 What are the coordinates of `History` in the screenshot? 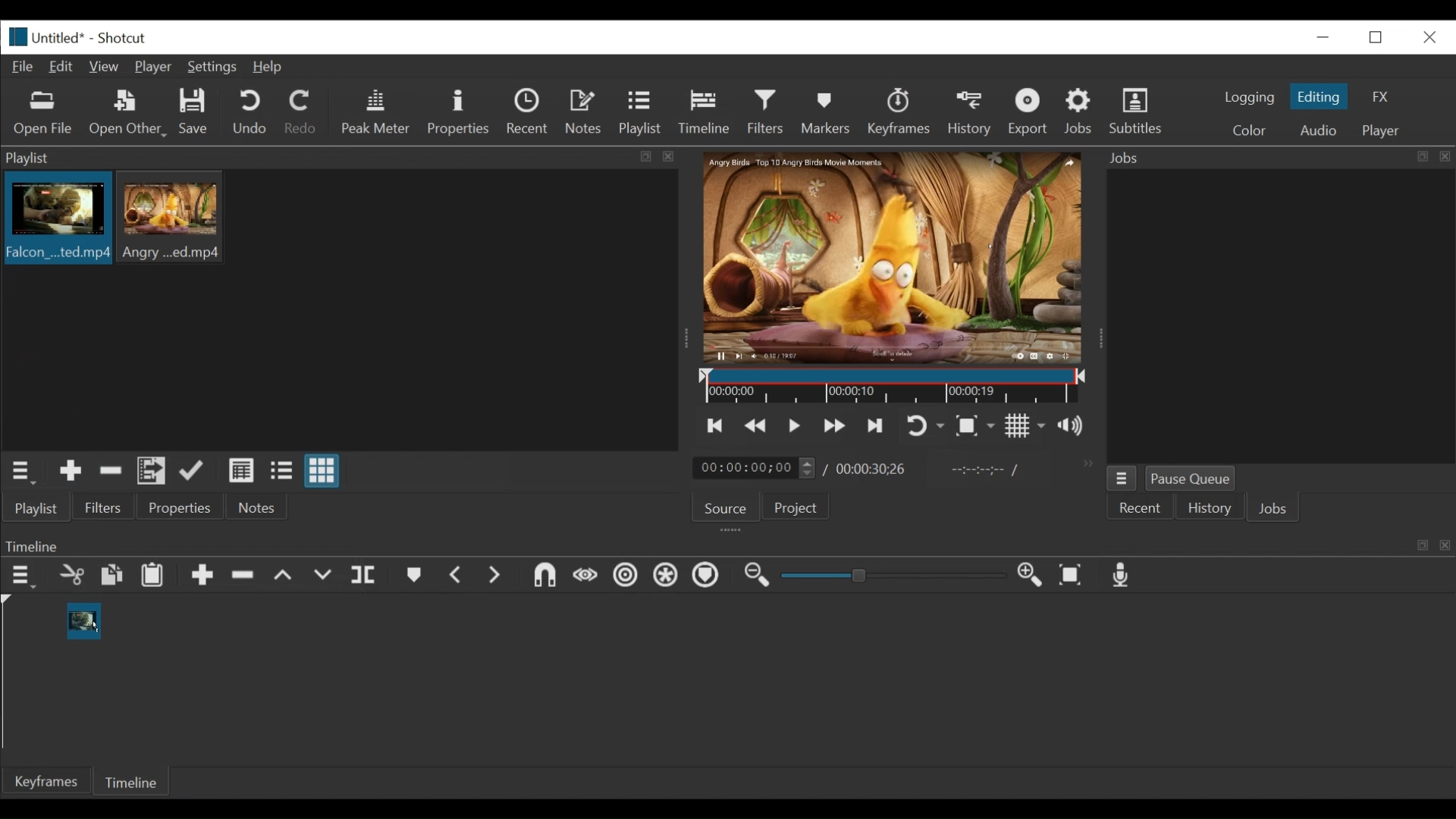 It's located at (1210, 510).